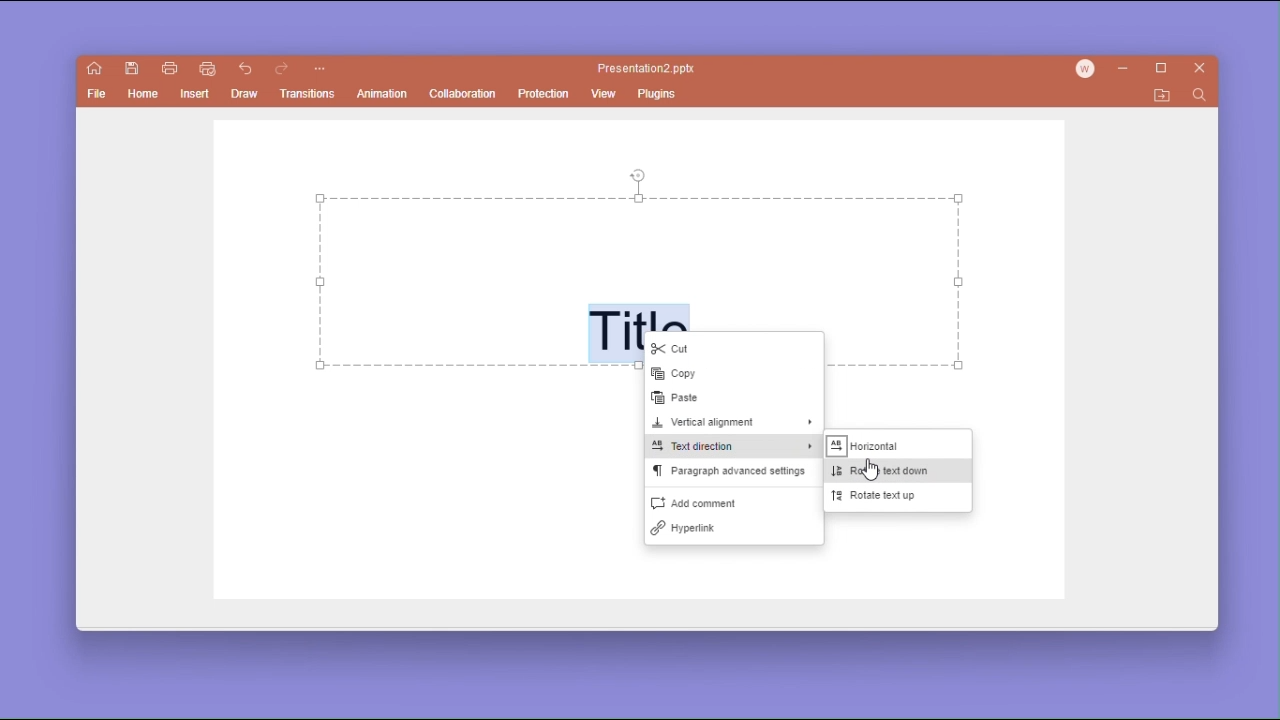  I want to click on view, so click(604, 95).